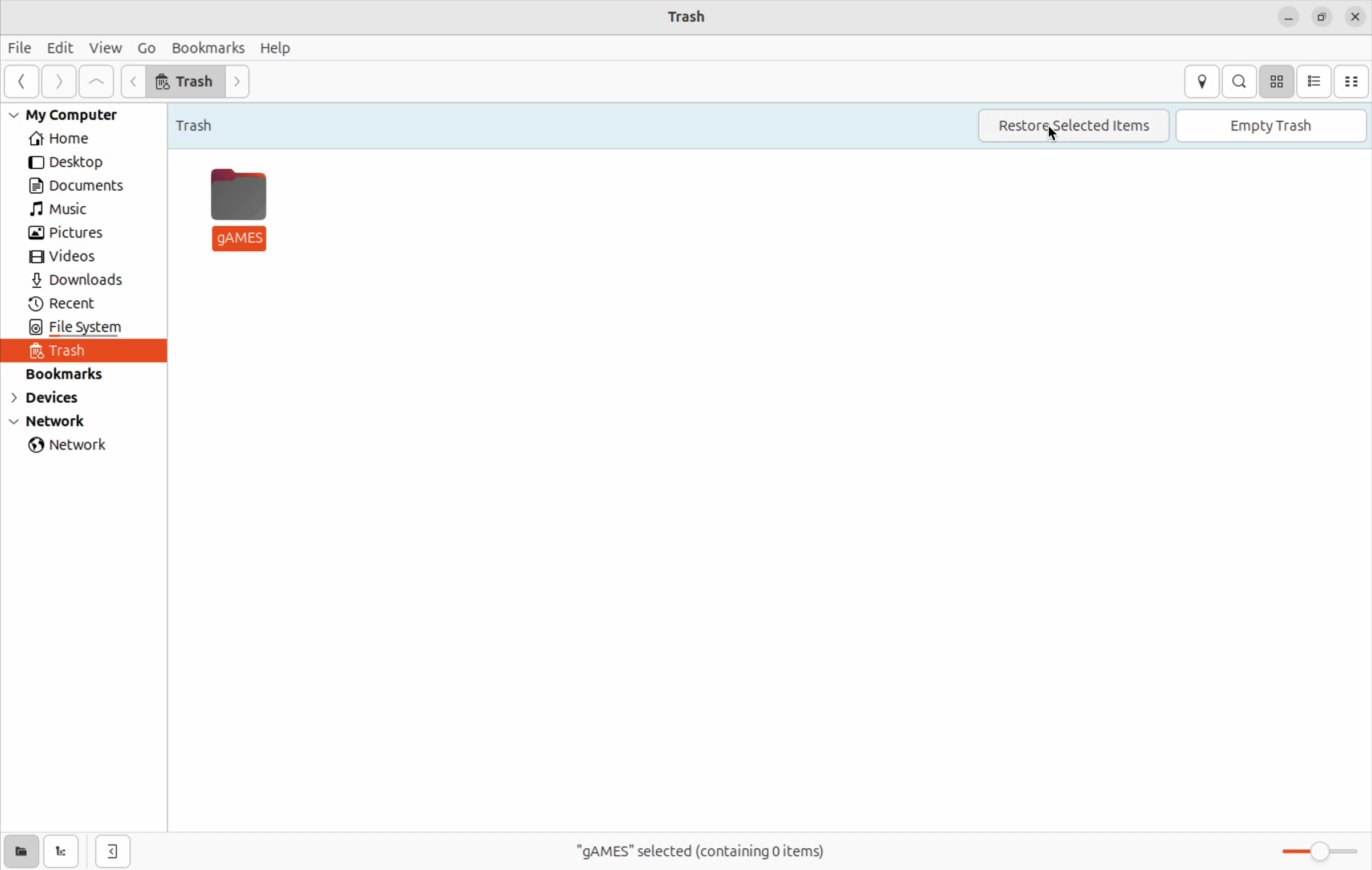  What do you see at coordinates (1313, 851) in the screenshot?
I see `toggle bar` at bounding box center [1313, 851].